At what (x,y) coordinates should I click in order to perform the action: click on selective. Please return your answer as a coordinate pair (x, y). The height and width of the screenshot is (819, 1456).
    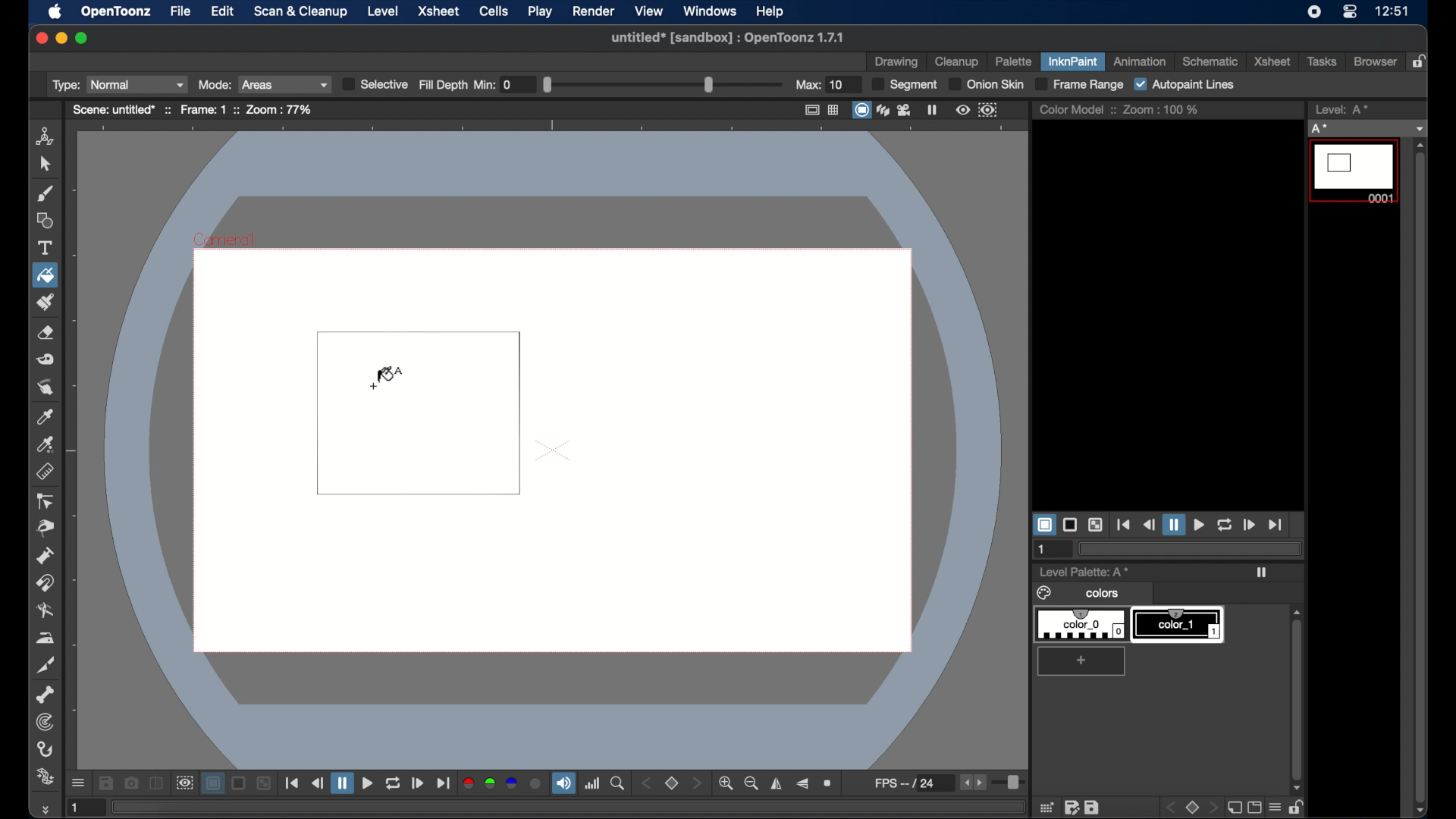
    Looking at the image, I should click on (373, 84).